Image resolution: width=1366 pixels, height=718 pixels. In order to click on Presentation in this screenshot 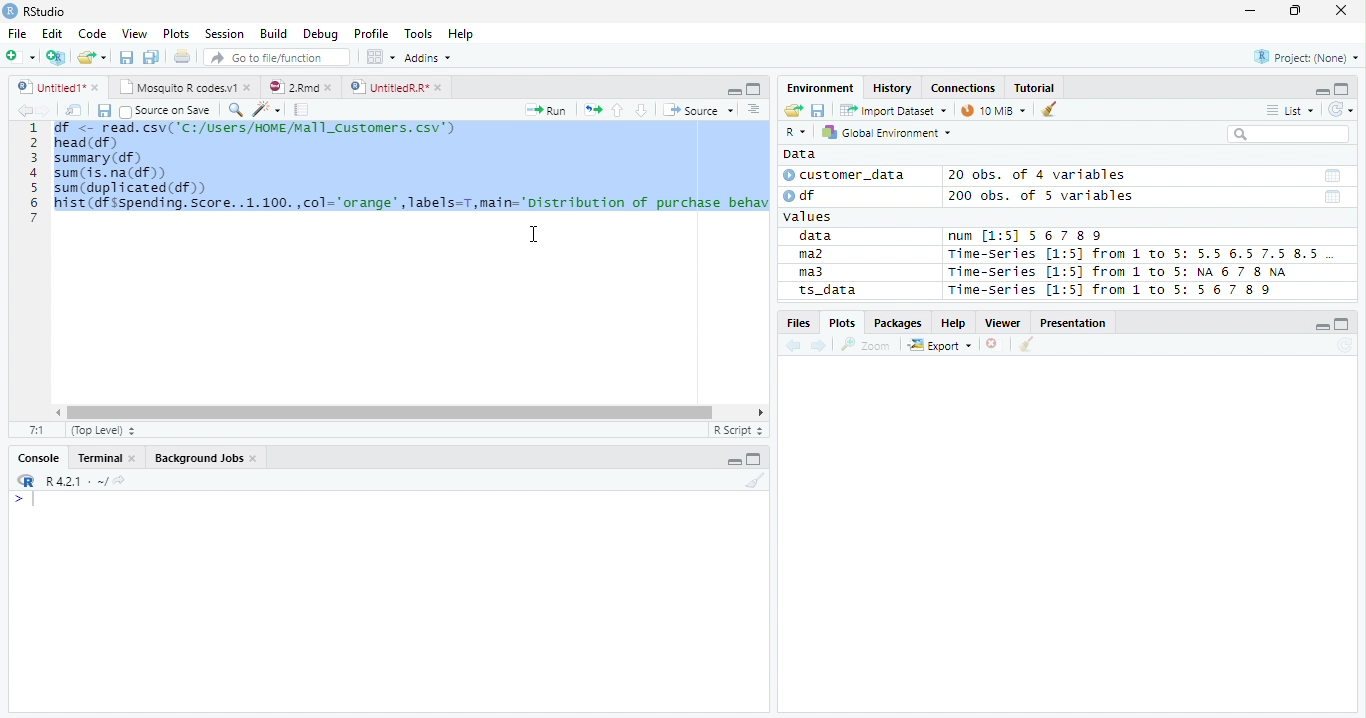, I will do `click(1076, 323)`.